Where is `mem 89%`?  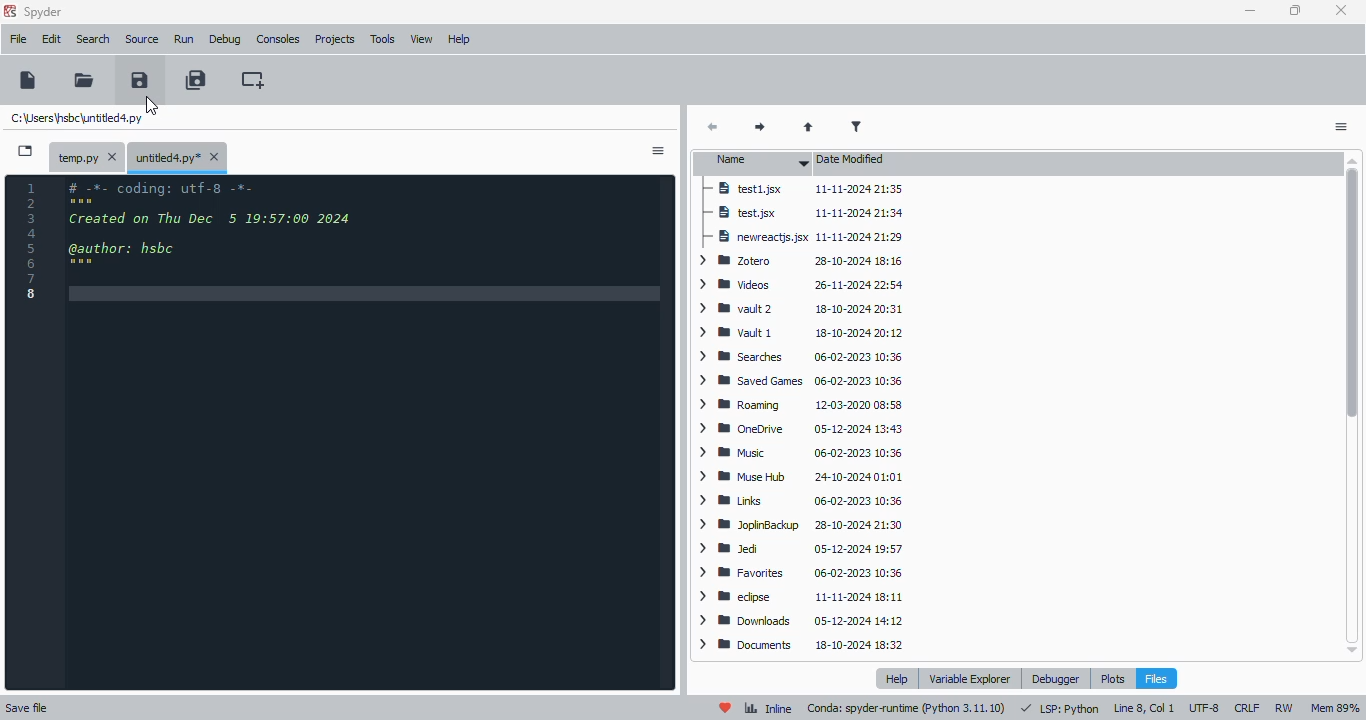 mem 89% is located at coordinates (1335, 708).